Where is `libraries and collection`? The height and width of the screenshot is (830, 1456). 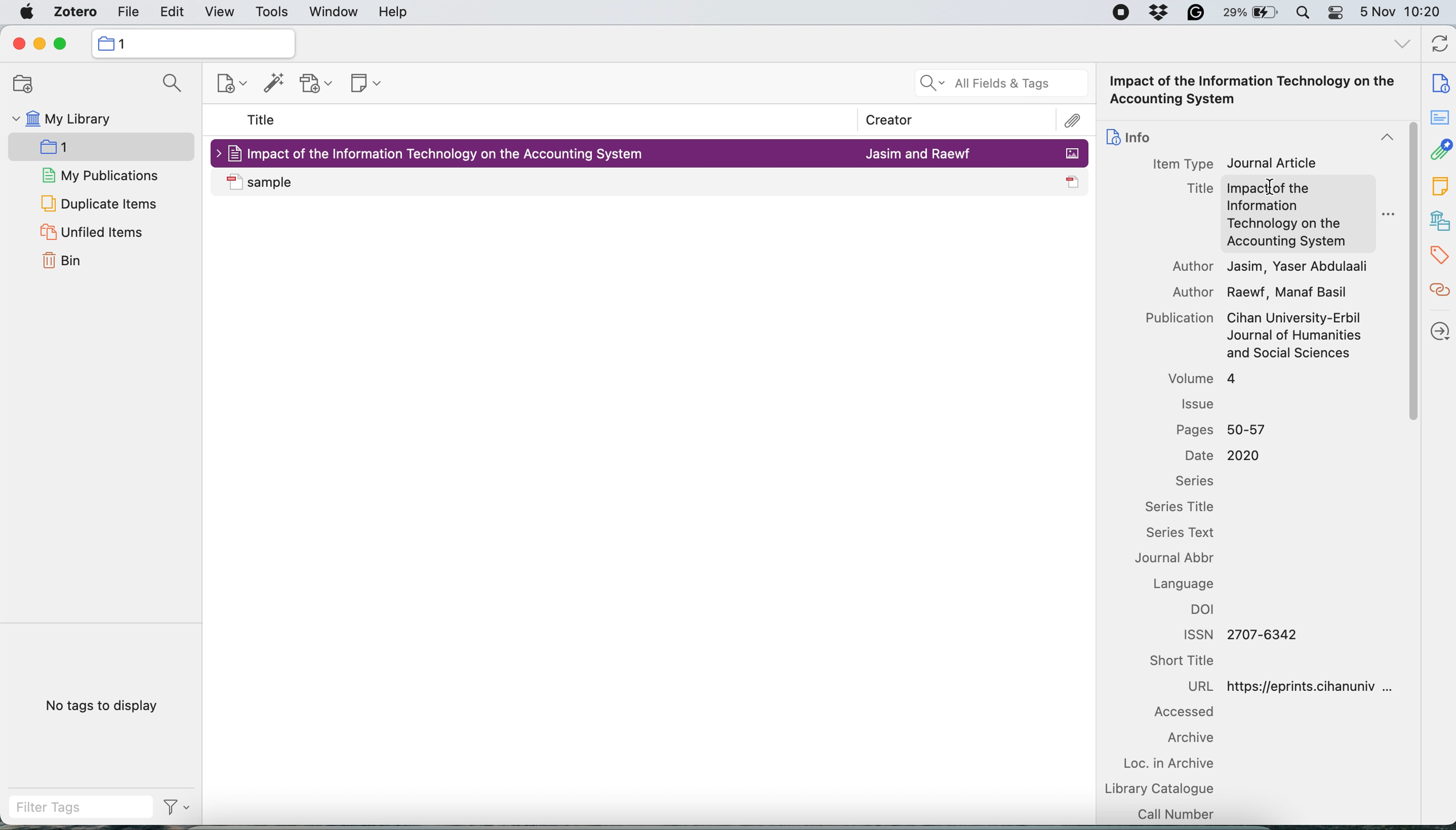 libraries and collection is located at coordinates (1439, 220).